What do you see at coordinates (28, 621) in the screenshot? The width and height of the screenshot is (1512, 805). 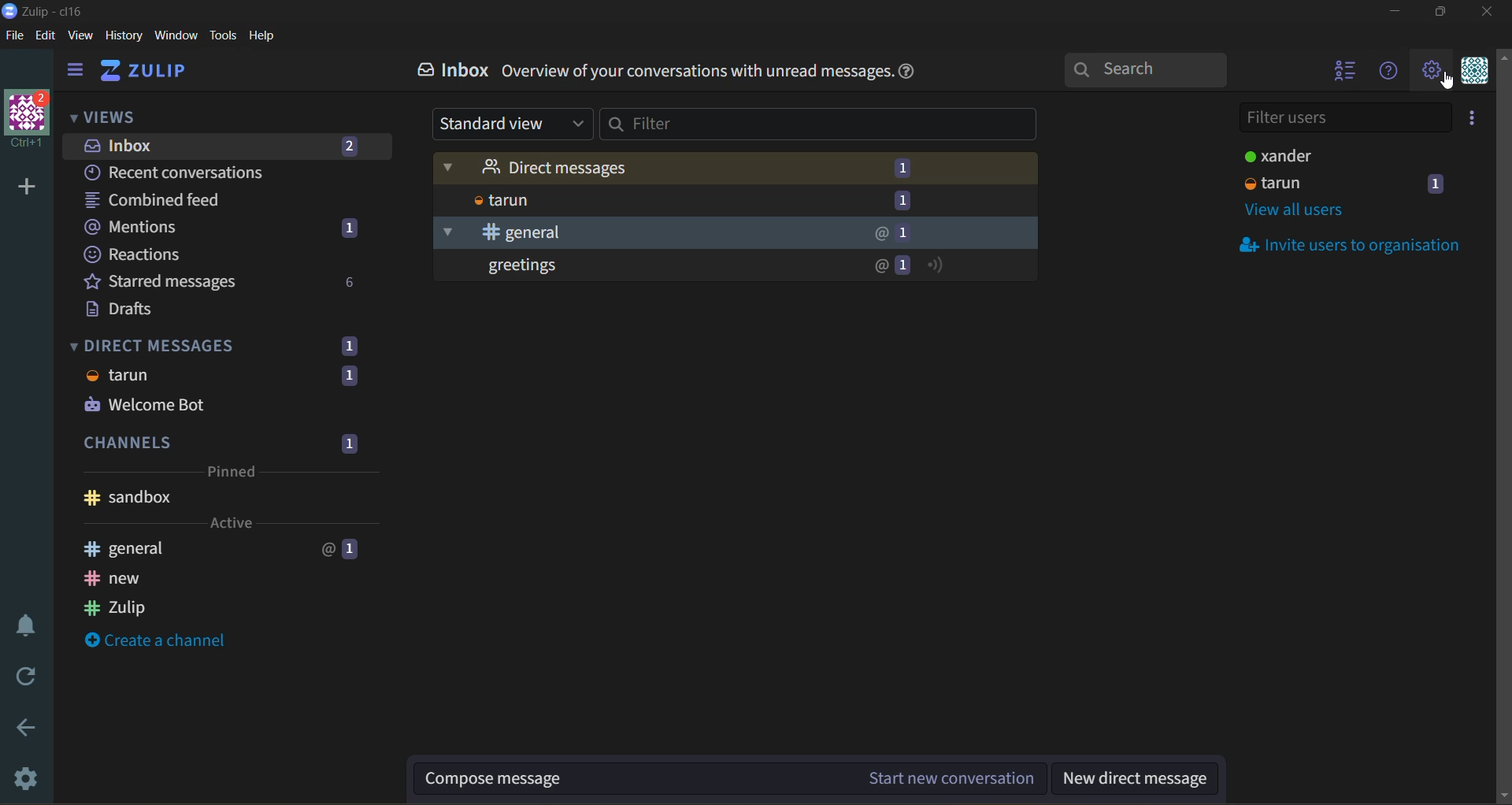 I see `enable do not disturb` at bounding box center [28, 621].